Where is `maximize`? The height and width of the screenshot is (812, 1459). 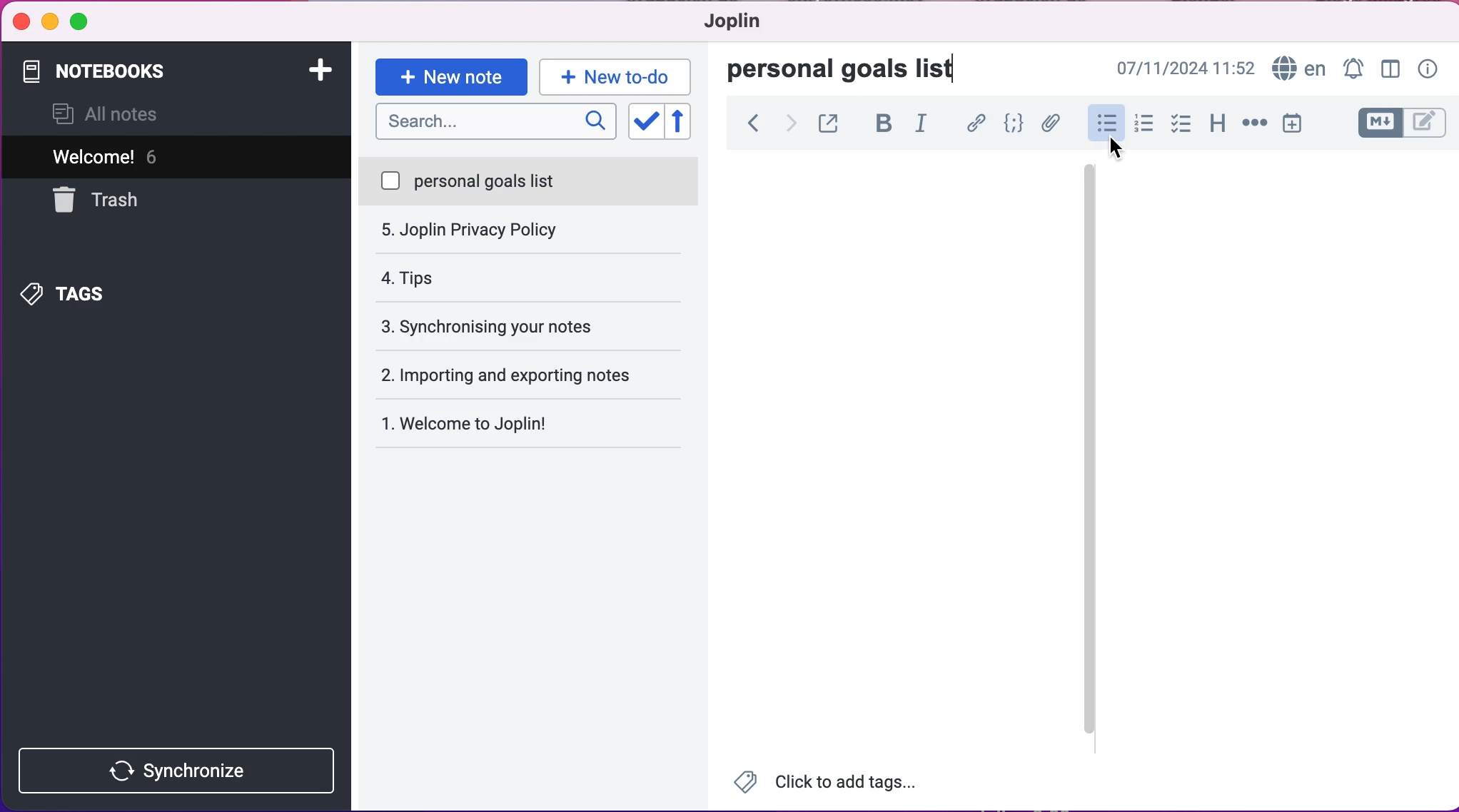 maximize is located at coordinates (85, 24).